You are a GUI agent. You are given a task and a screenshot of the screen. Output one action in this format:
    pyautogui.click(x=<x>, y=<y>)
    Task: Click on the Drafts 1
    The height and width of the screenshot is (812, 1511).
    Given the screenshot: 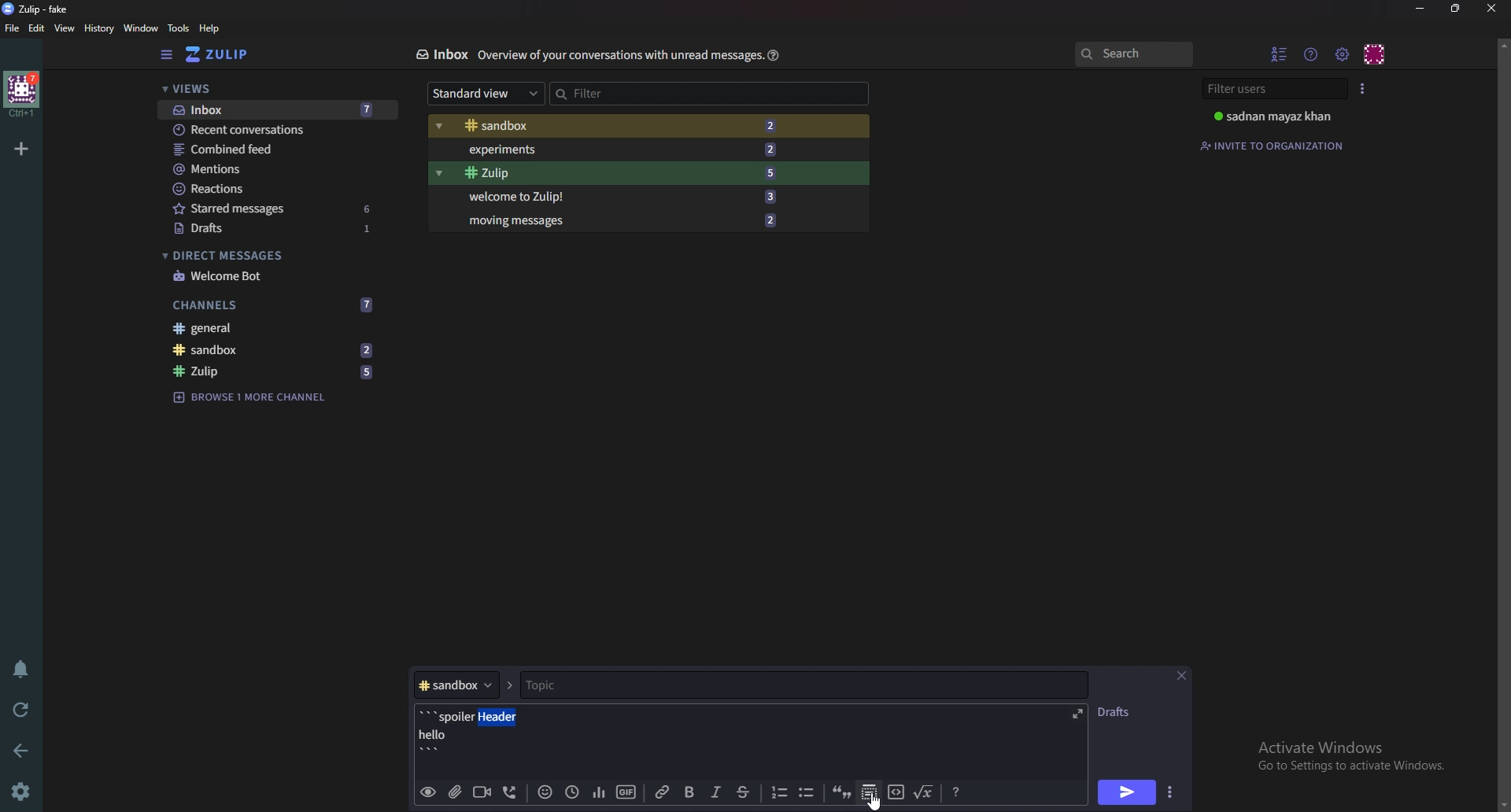 What is the action you would take?
    pyautogui.click(x=273, y=229)
    